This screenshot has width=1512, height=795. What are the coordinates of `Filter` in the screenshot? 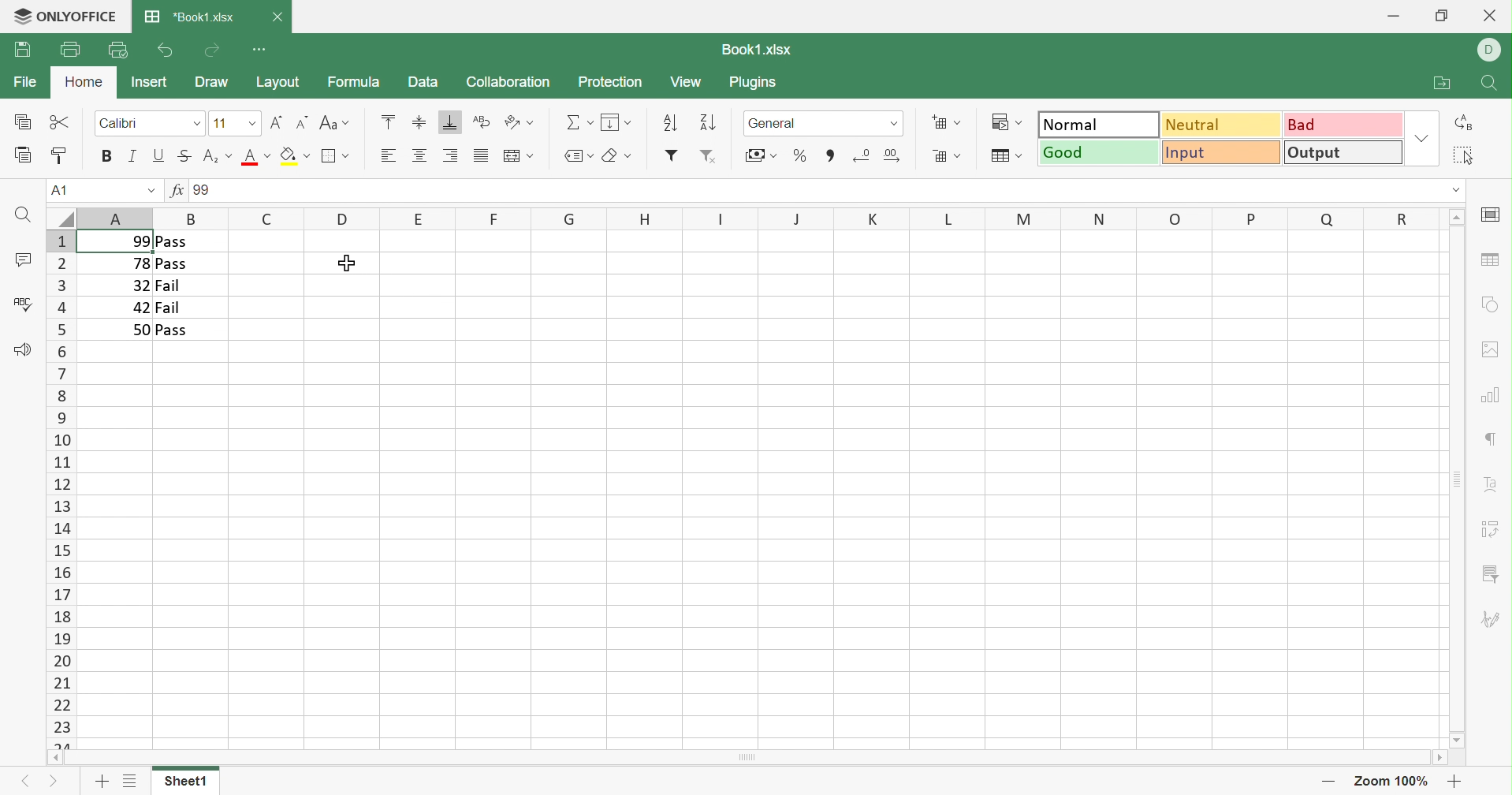 It's located at (671, 155).